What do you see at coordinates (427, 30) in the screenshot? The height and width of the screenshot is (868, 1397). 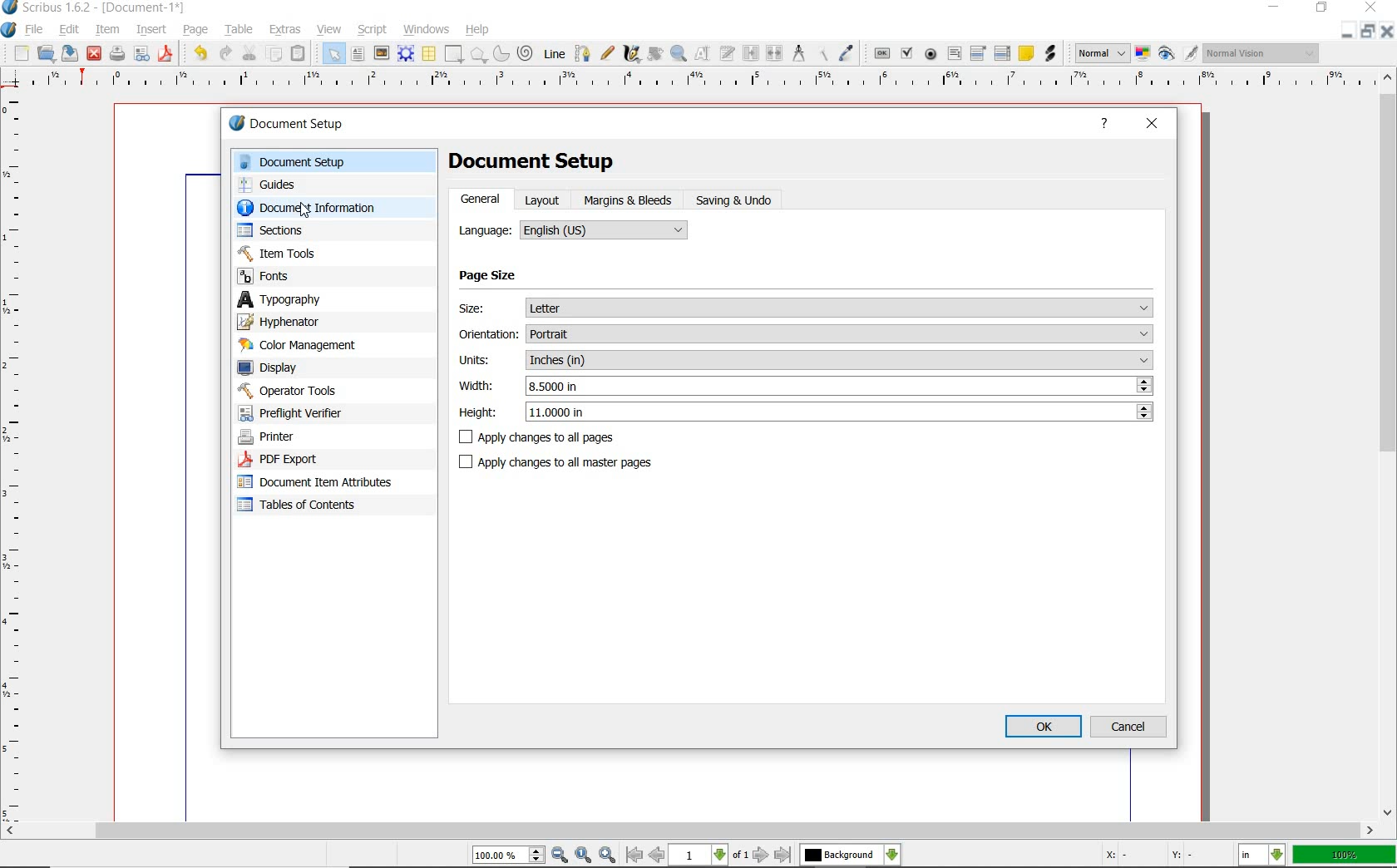 I see `windows` at bounding box center [427, 30].